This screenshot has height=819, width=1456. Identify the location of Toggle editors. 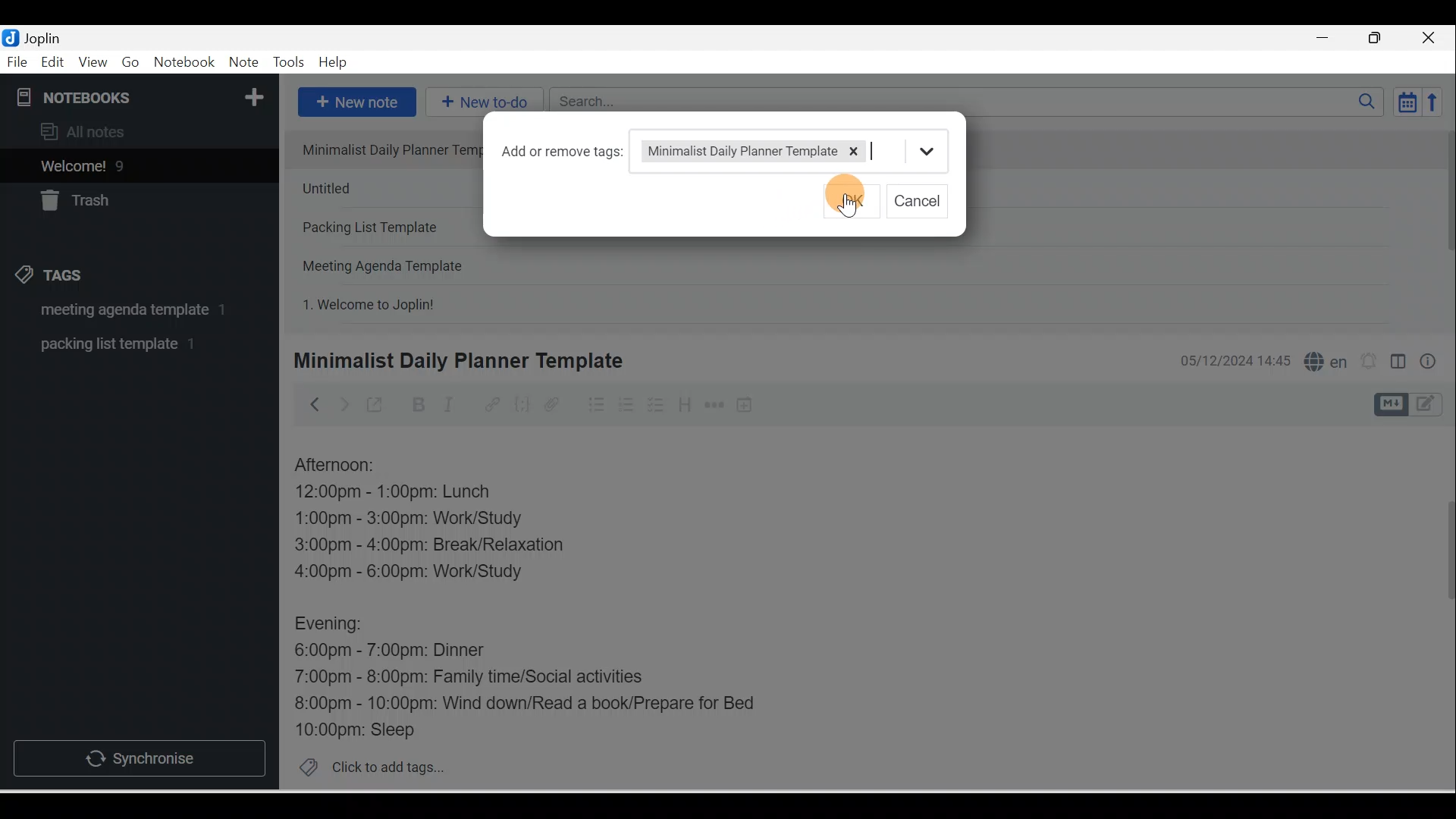
(1398, 364).